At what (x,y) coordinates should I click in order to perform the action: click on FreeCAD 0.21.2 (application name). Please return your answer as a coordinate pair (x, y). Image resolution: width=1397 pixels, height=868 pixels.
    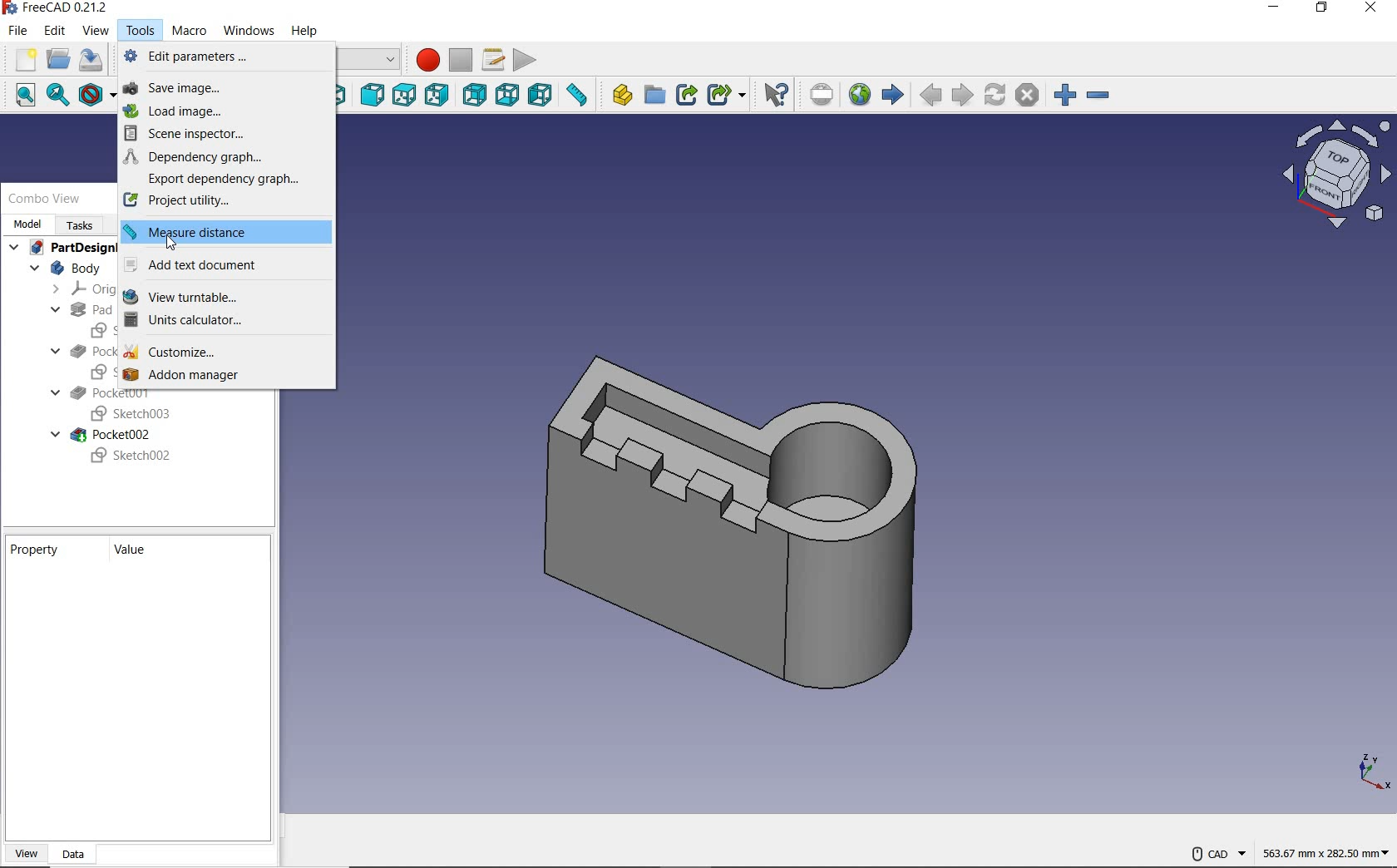
    Looking at the image, I should click on (57, 9).